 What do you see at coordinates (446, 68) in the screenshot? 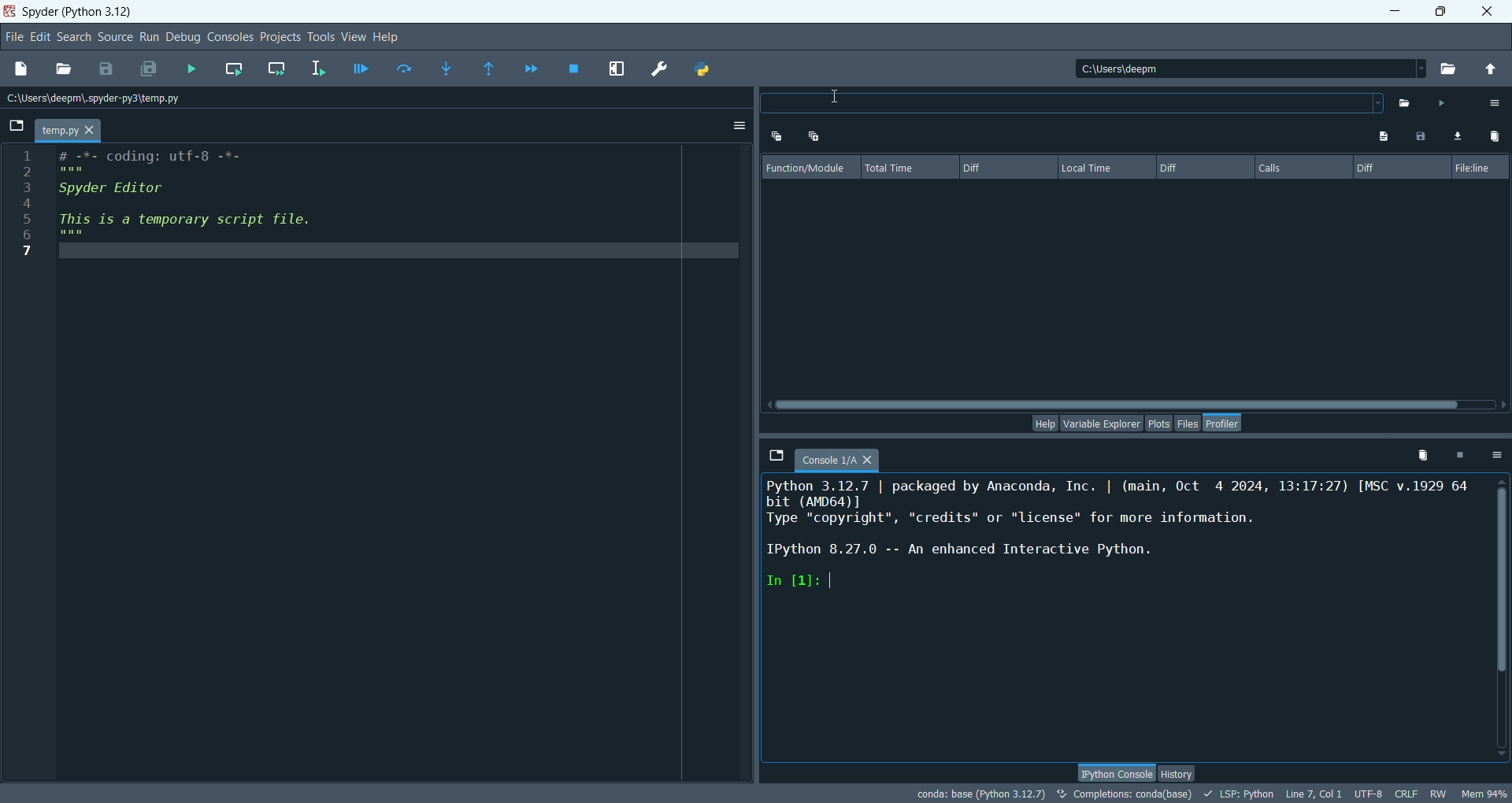
I see `step into function` at bounding box center [446, 68].